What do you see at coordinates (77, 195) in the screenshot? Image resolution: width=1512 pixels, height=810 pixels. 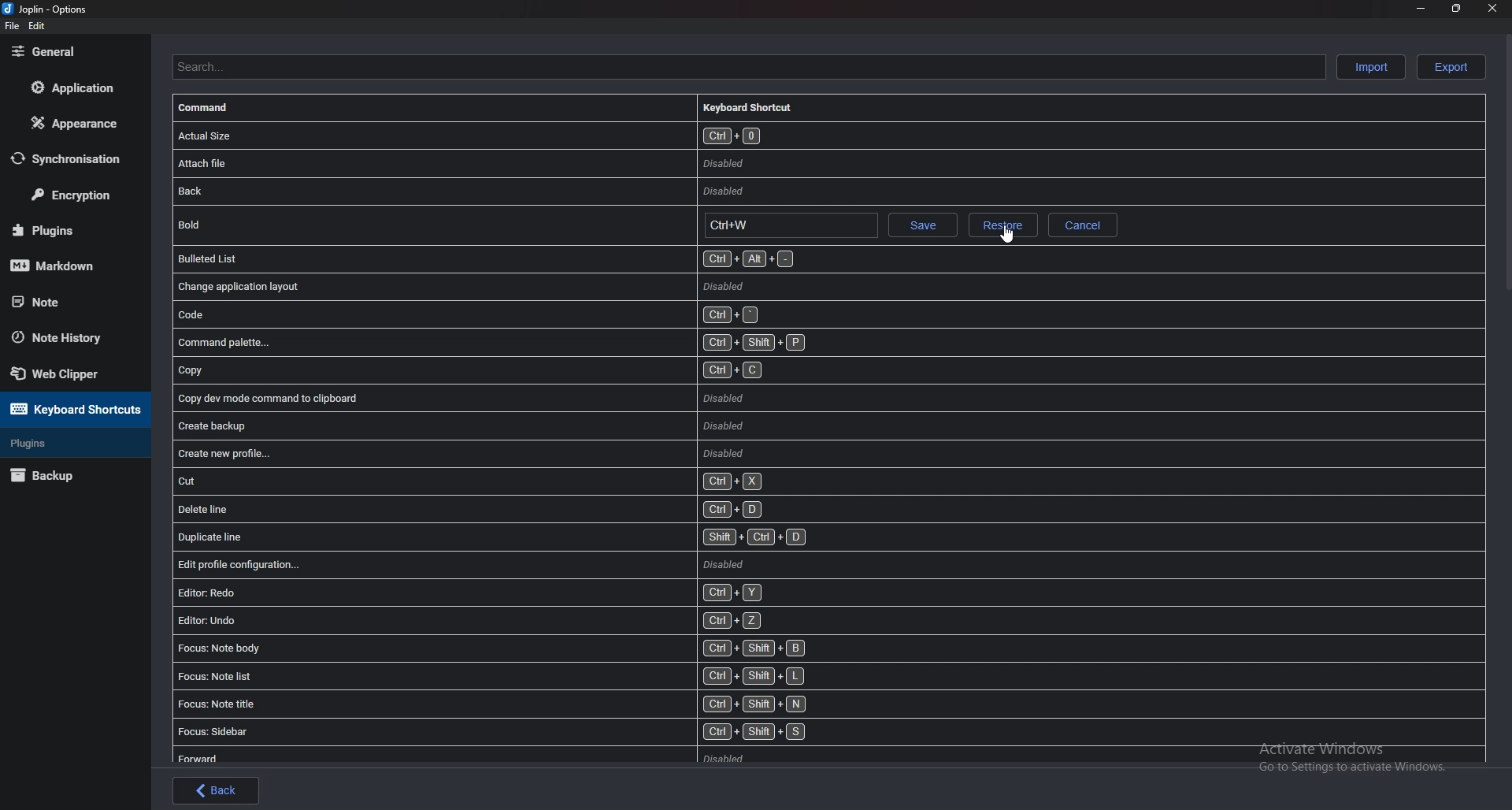 I see `Encryption` at bounding box center [77, 195].